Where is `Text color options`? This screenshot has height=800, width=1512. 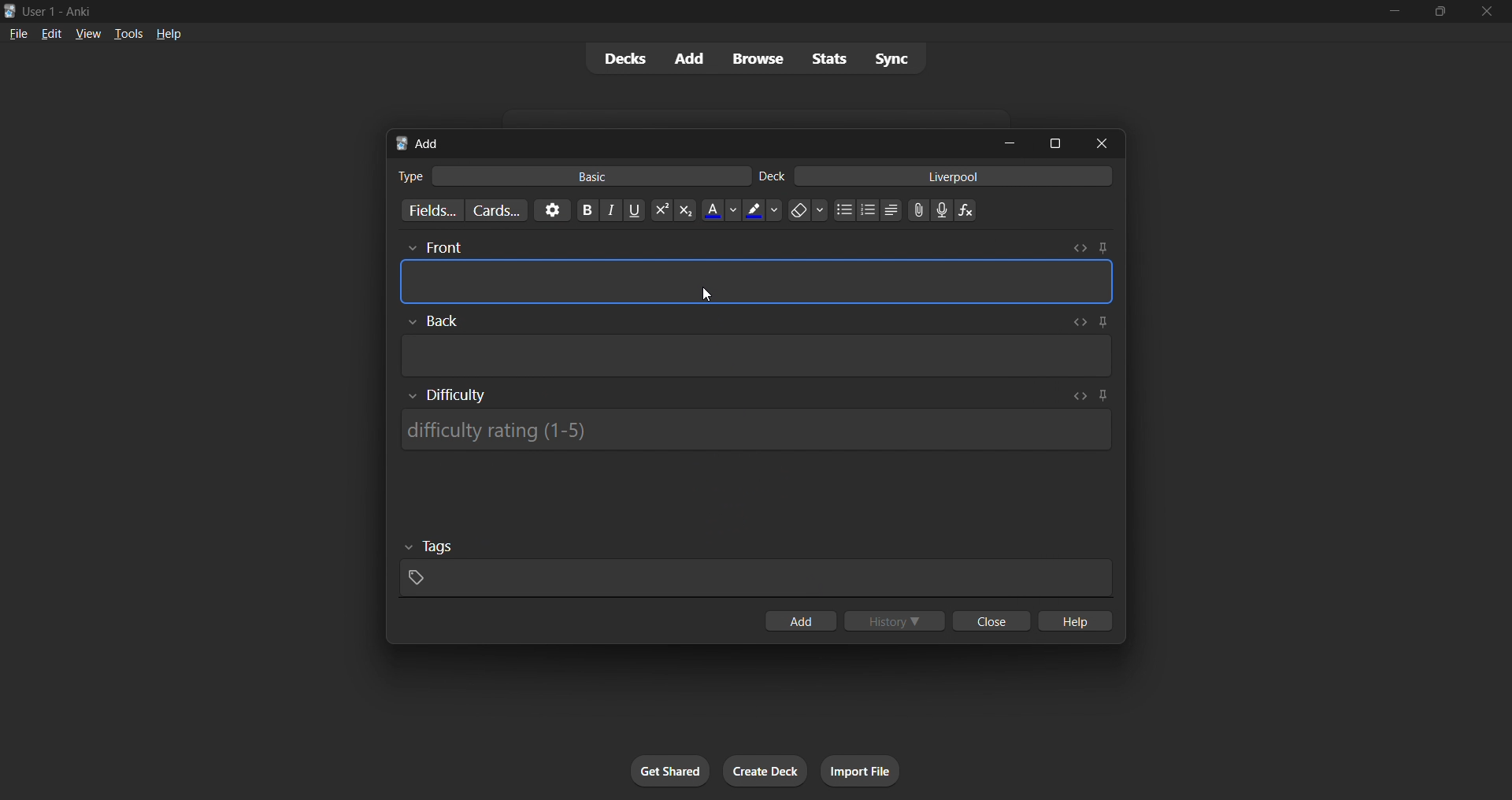 Text color options is located at coordinates (721, 209).